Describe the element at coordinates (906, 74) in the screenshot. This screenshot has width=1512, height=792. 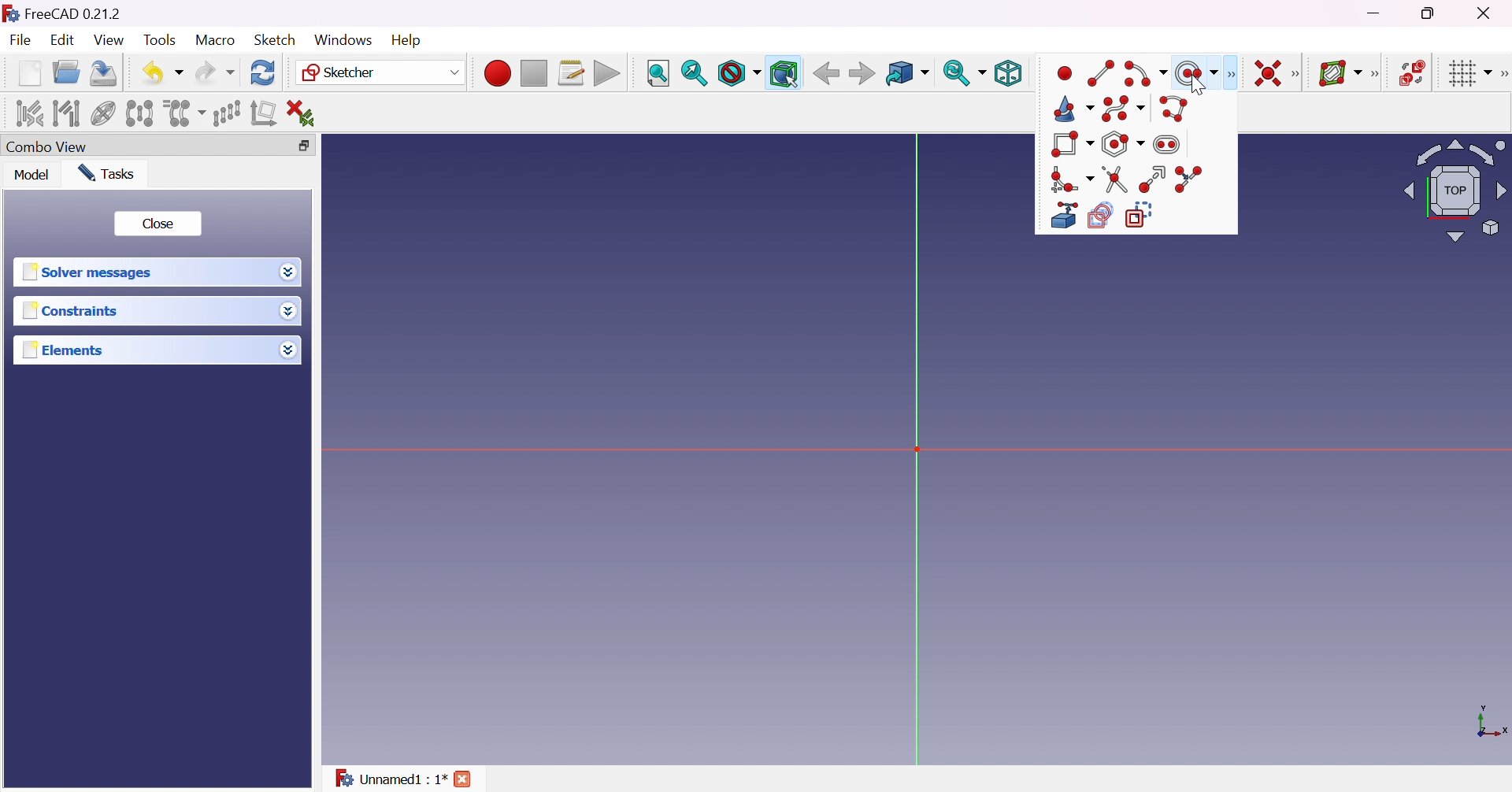
I see `Go to linked object` at that location.